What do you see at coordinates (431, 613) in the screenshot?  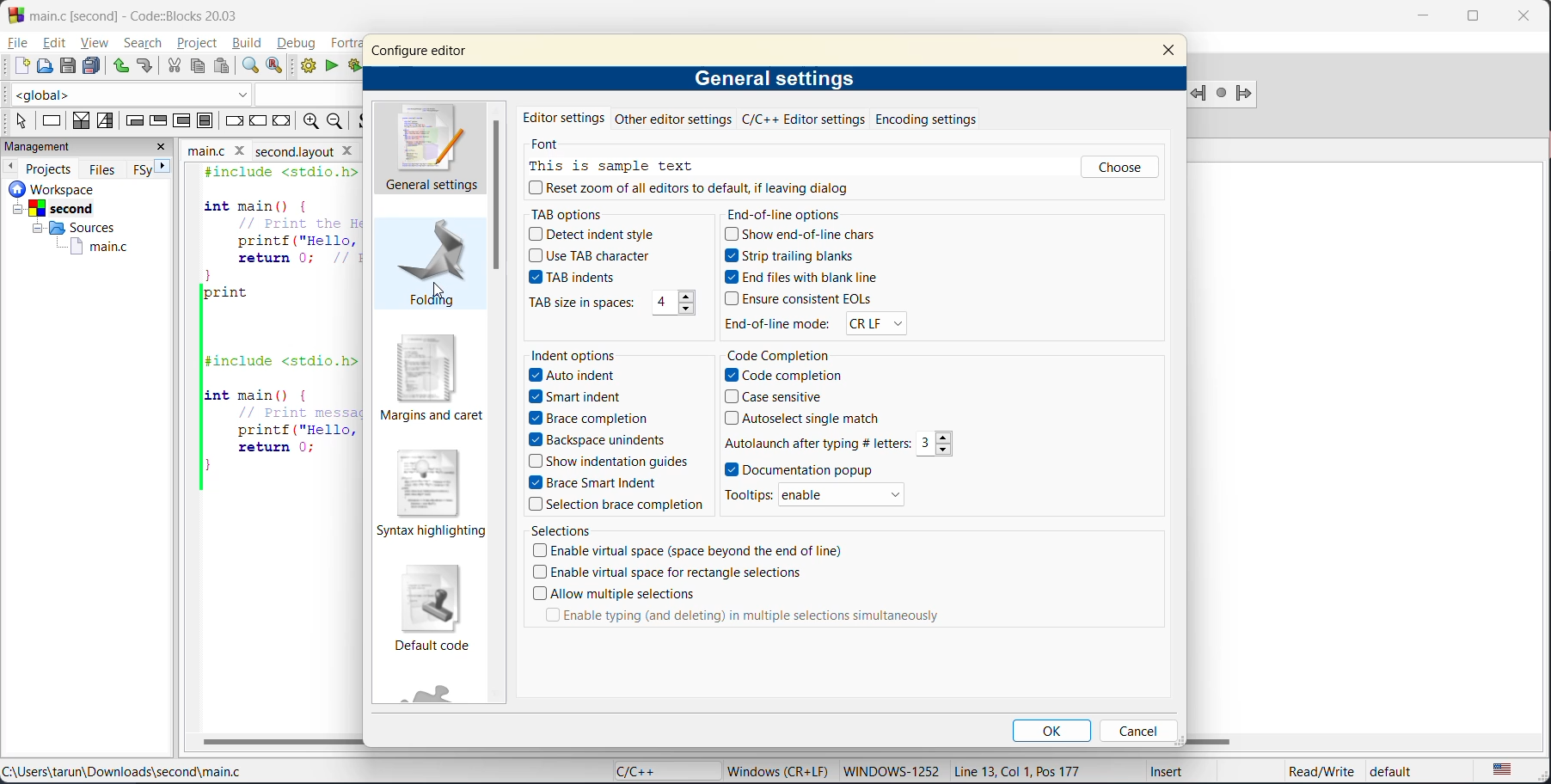 I see `default code` at bounding box center [431, 613].